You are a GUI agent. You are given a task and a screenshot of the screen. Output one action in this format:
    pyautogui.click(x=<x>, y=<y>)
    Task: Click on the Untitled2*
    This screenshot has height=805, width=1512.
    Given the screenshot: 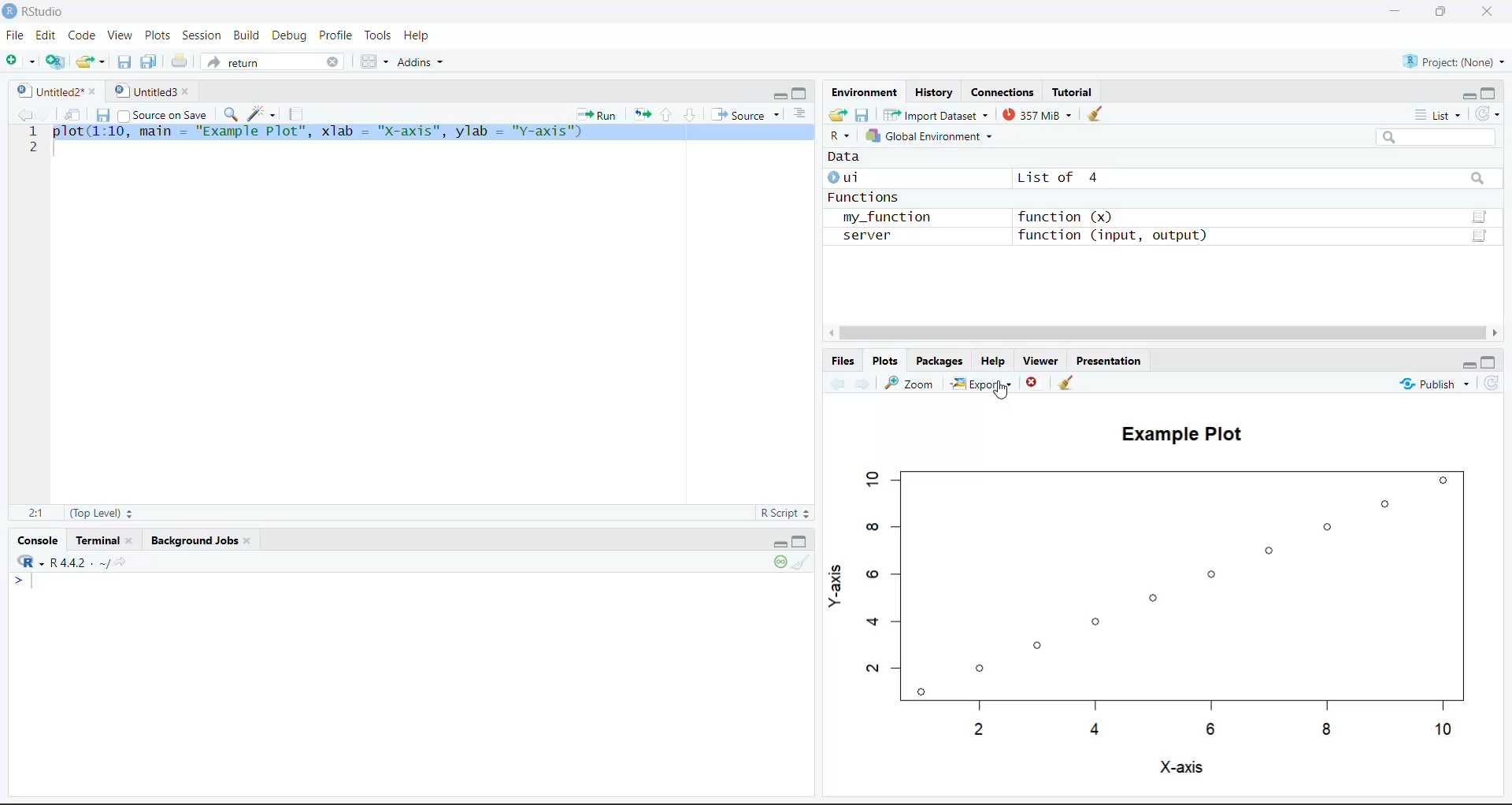 What is the action you would take?
    pyautogui.click(x=54, y=87)
    